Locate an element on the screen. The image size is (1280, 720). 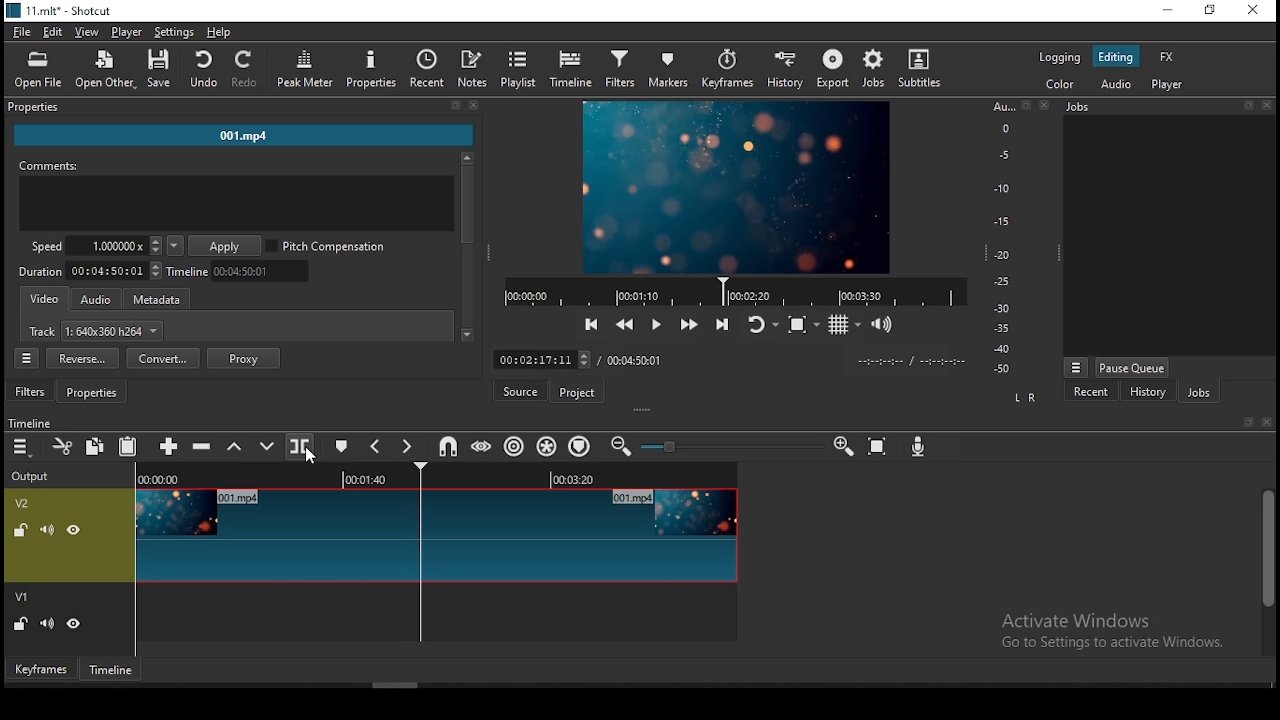
history is located at coordinates (790, 70).